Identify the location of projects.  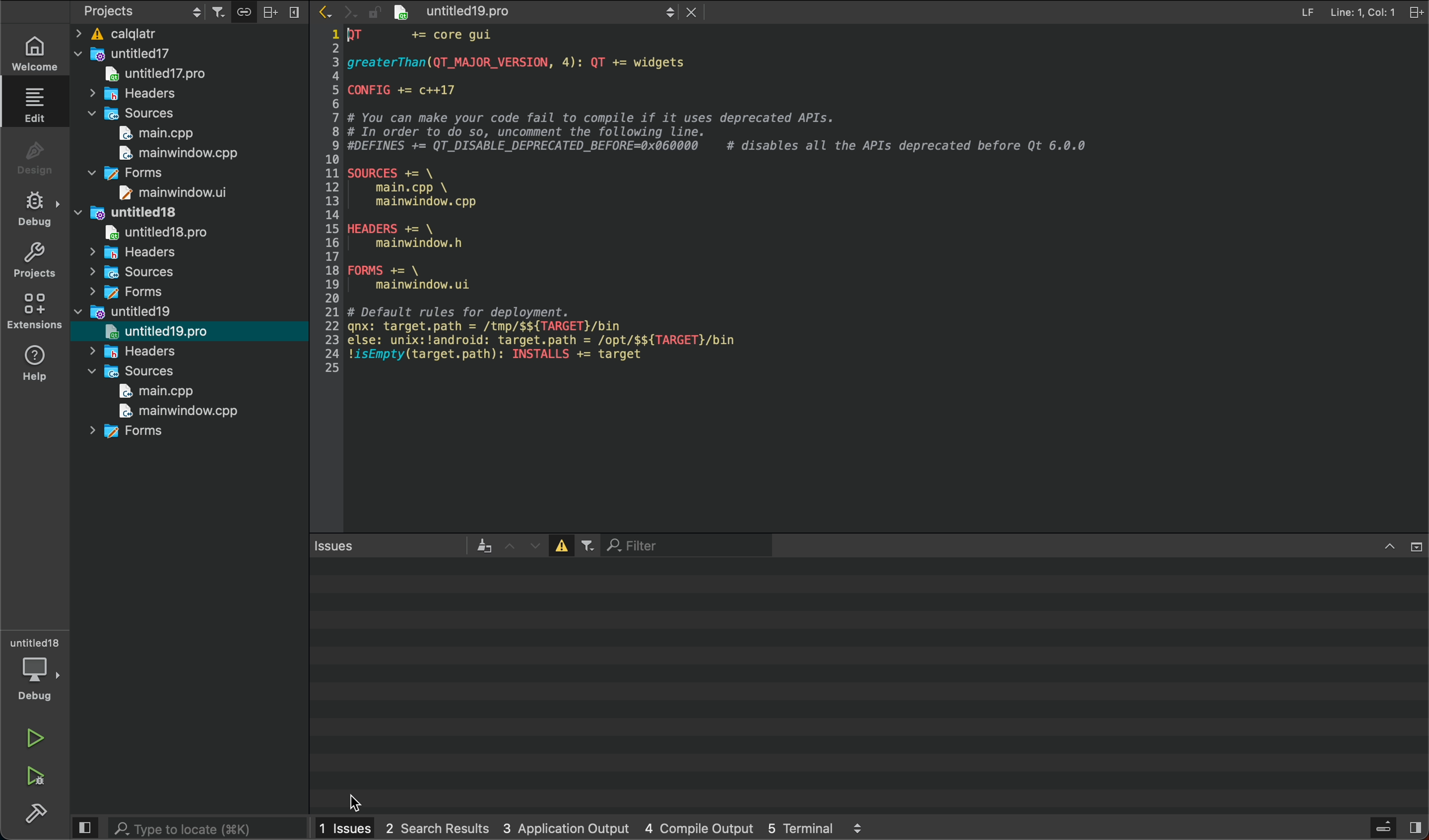
(35, 260).